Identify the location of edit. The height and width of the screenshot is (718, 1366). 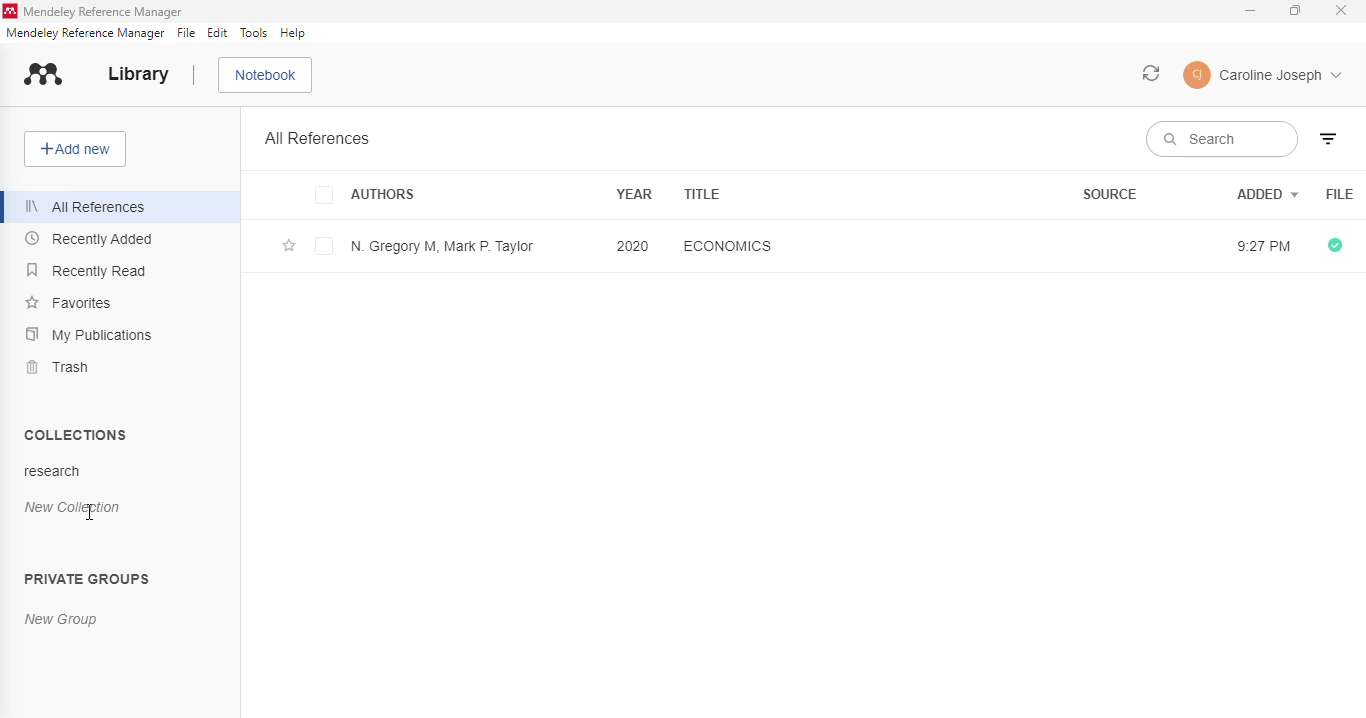
(219, 34).